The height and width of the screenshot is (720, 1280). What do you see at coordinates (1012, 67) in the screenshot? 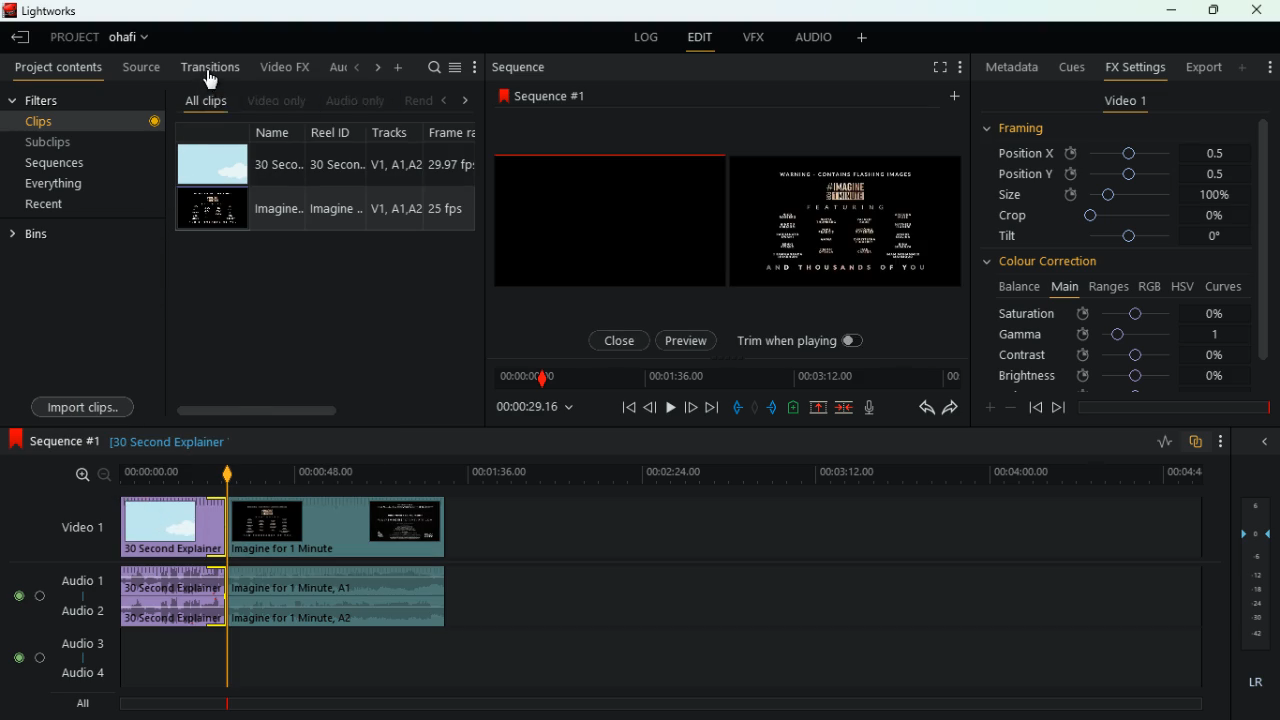
I see `metadata` at bounding box center [1012, 67].